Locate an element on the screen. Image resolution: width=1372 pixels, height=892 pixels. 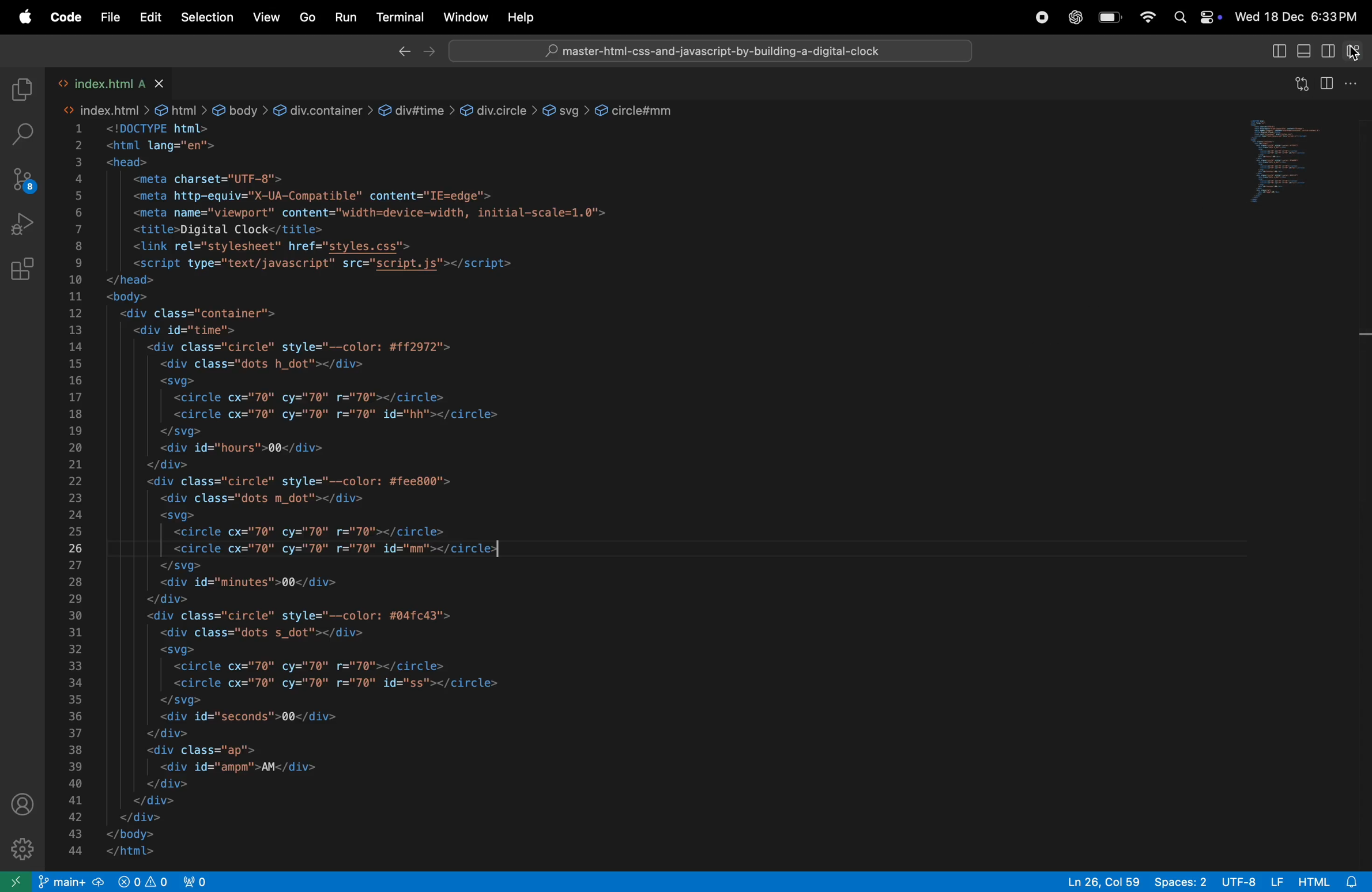
Extensions is located at coordinates (22, 269).